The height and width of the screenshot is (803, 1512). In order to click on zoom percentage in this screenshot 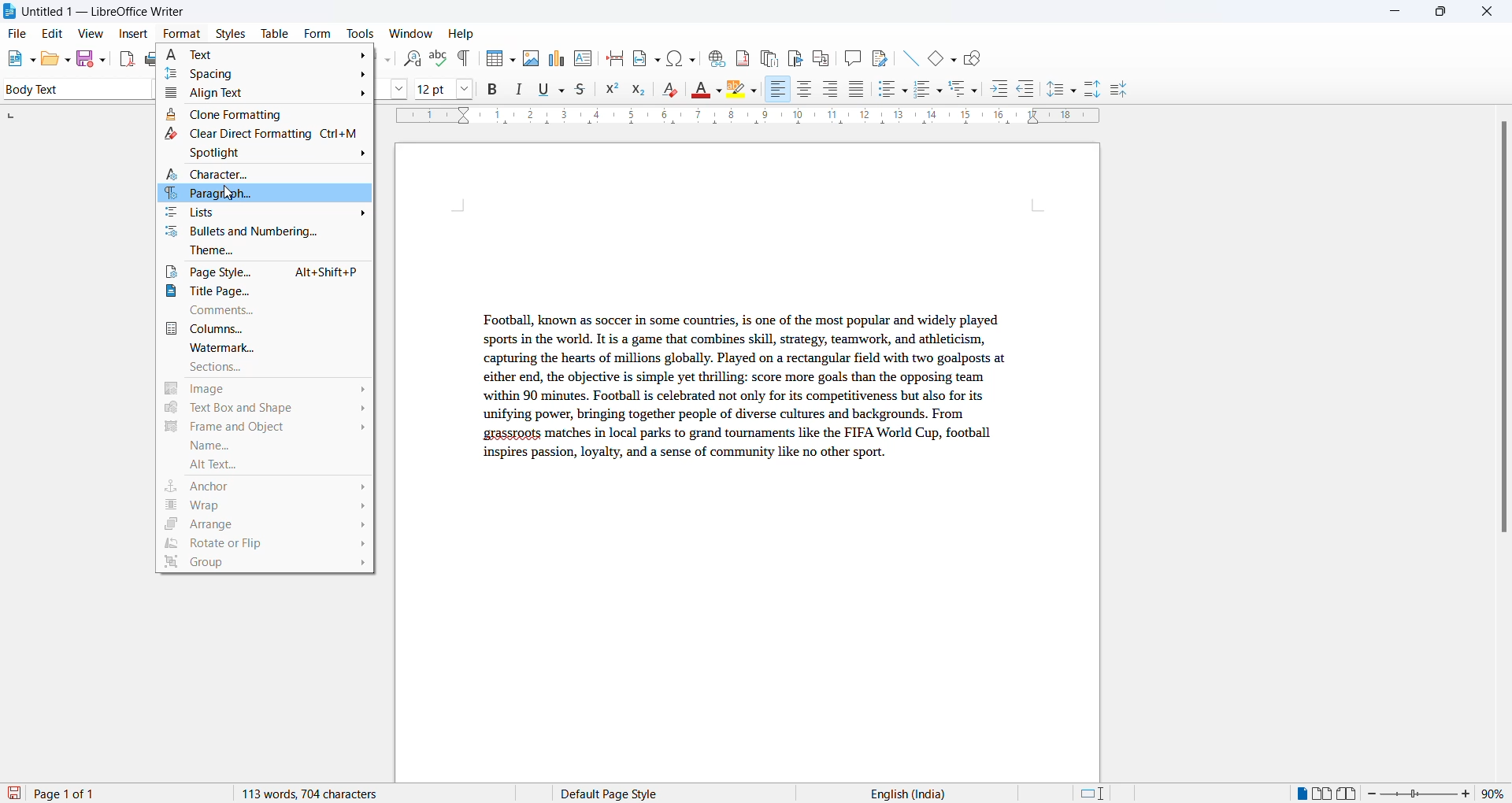, I will do `click(1496, 792)`.